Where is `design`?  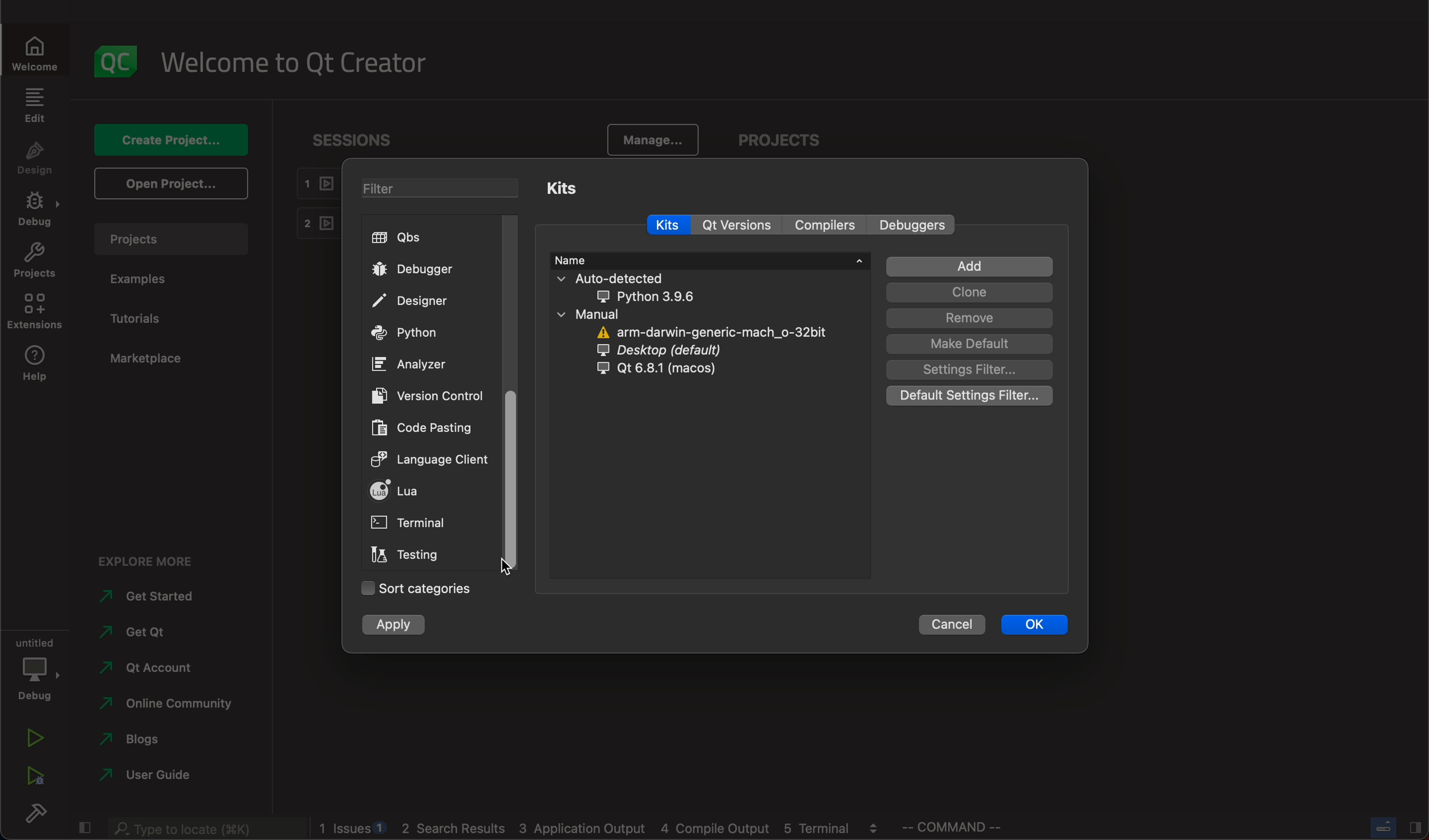 design is located at coordinates (36, 159).